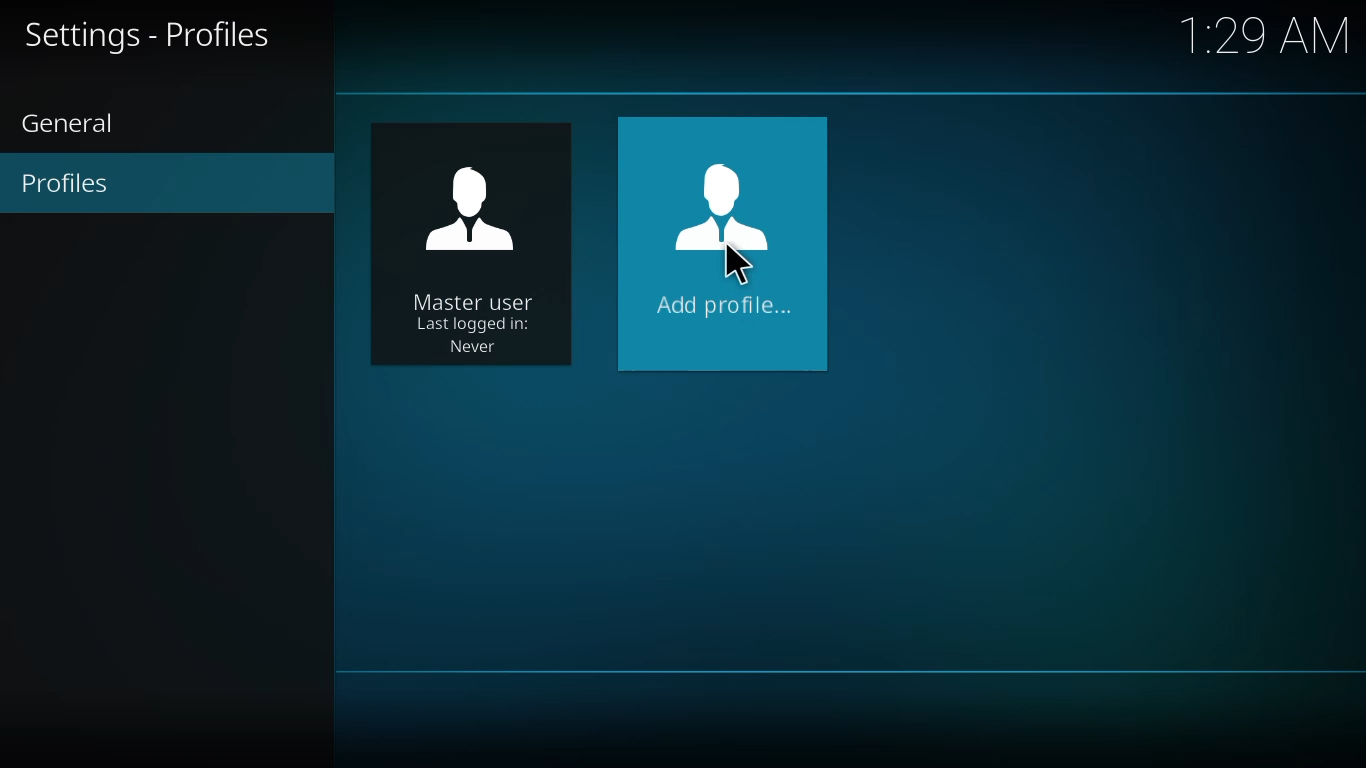 This screenshot has width=1366, height=768. What do you see at coordinates (1268, 35) in the screenshot?
I see `time` at bounding box center [1268, 35].